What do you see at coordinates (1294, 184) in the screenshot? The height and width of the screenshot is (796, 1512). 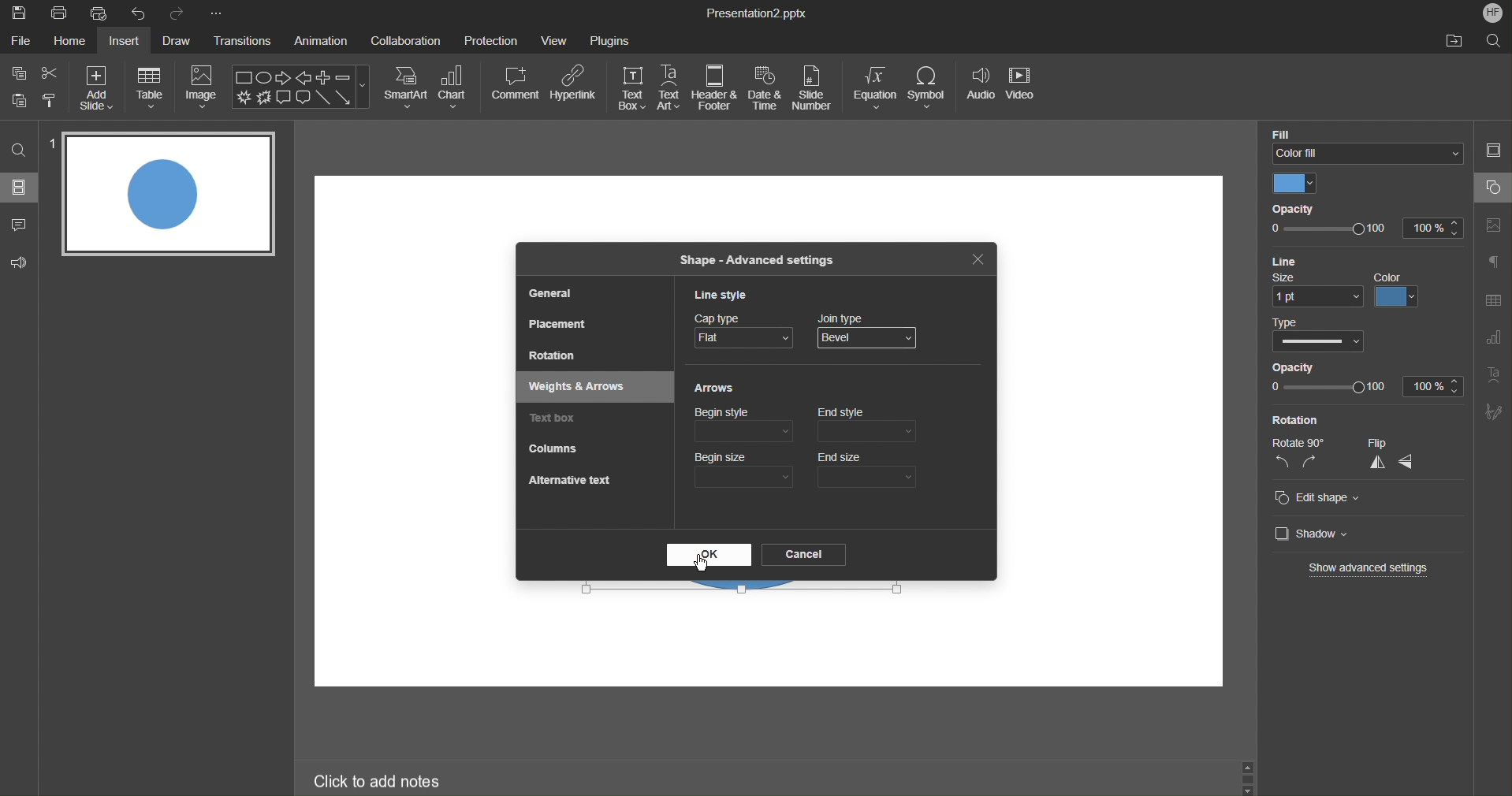 I see `Color` at bounding box center [1294, 184].